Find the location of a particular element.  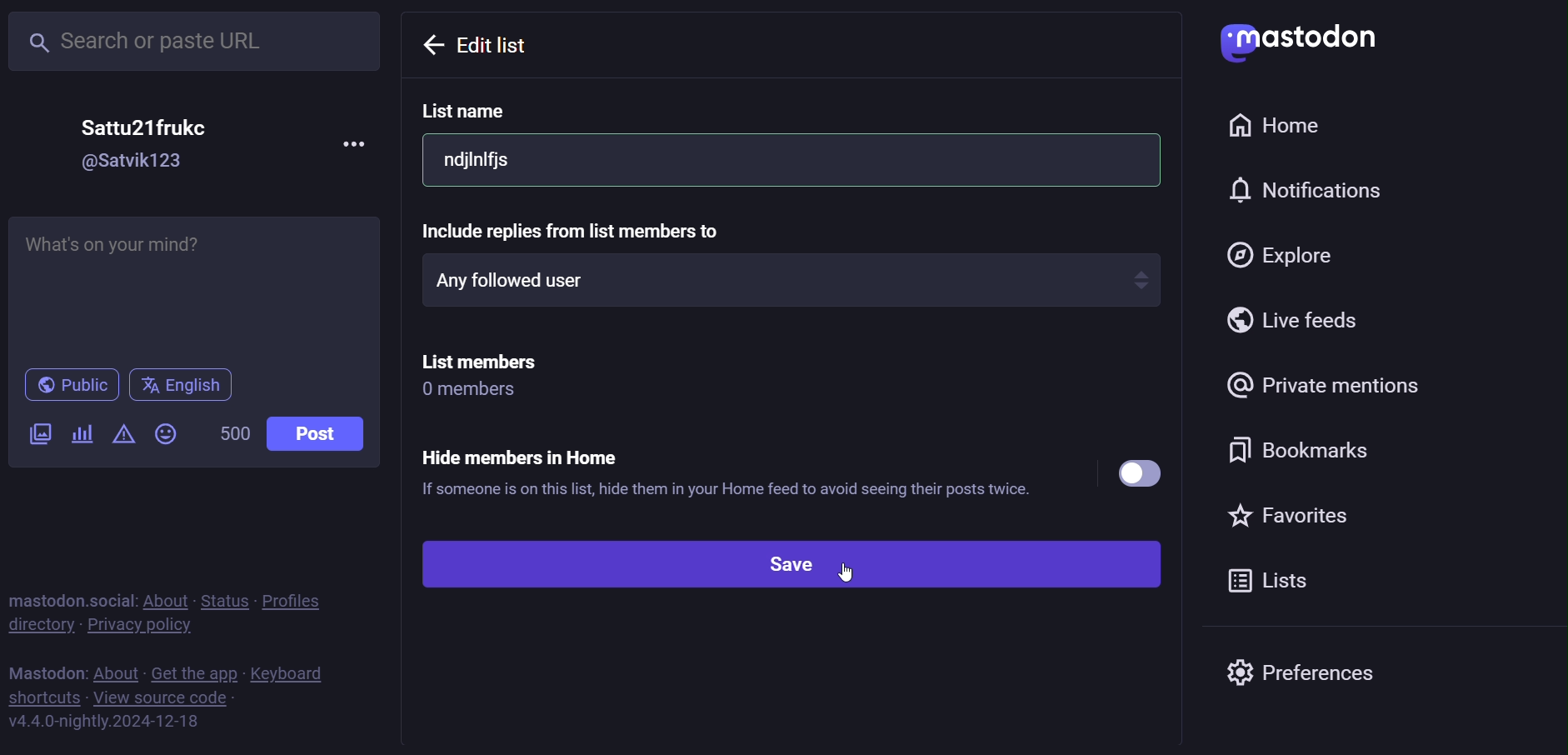

keyboard is located at coordinates (294, 673).